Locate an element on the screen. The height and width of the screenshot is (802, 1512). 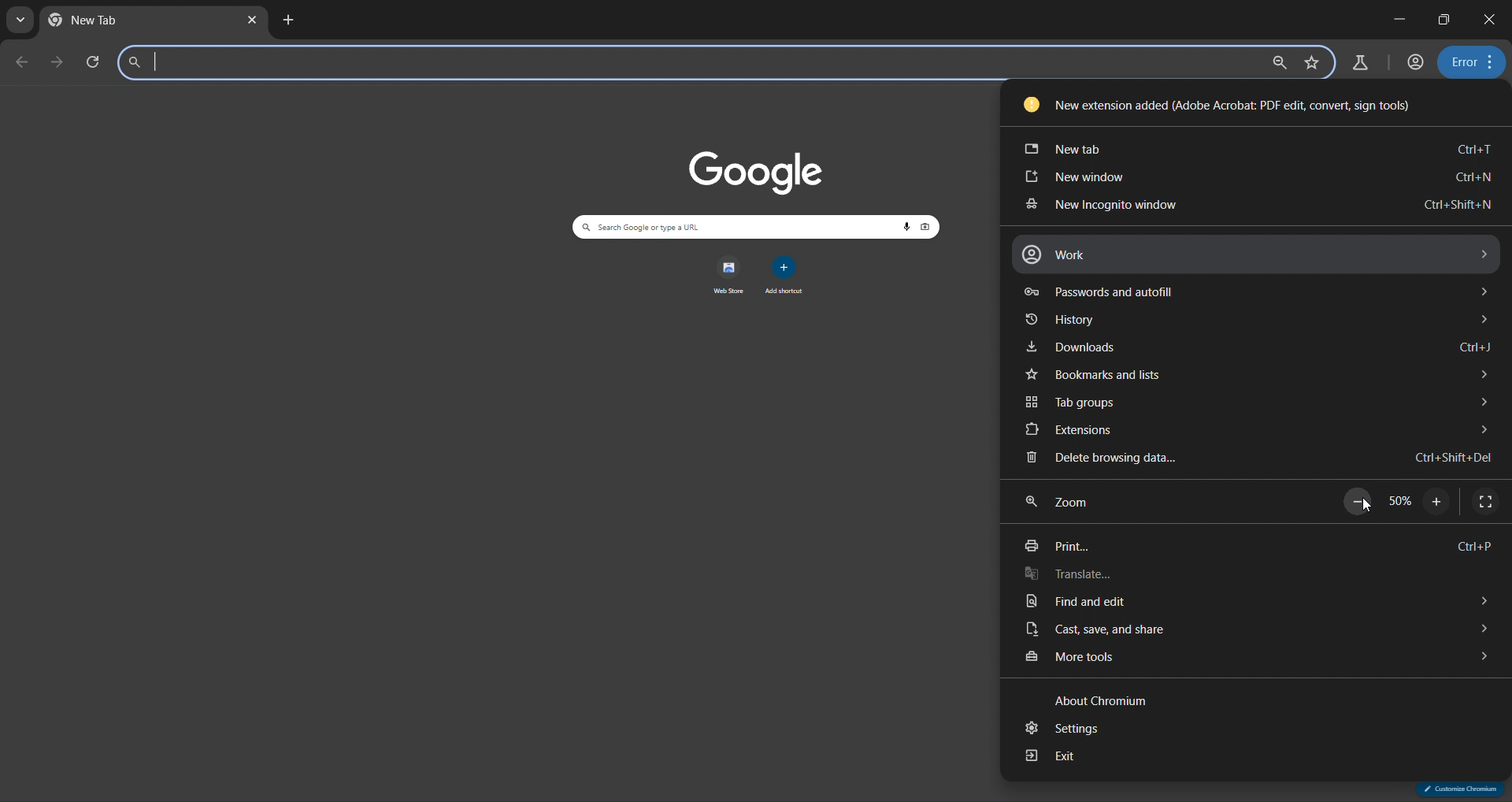
zoom in is located at coordinates (1438, 499).